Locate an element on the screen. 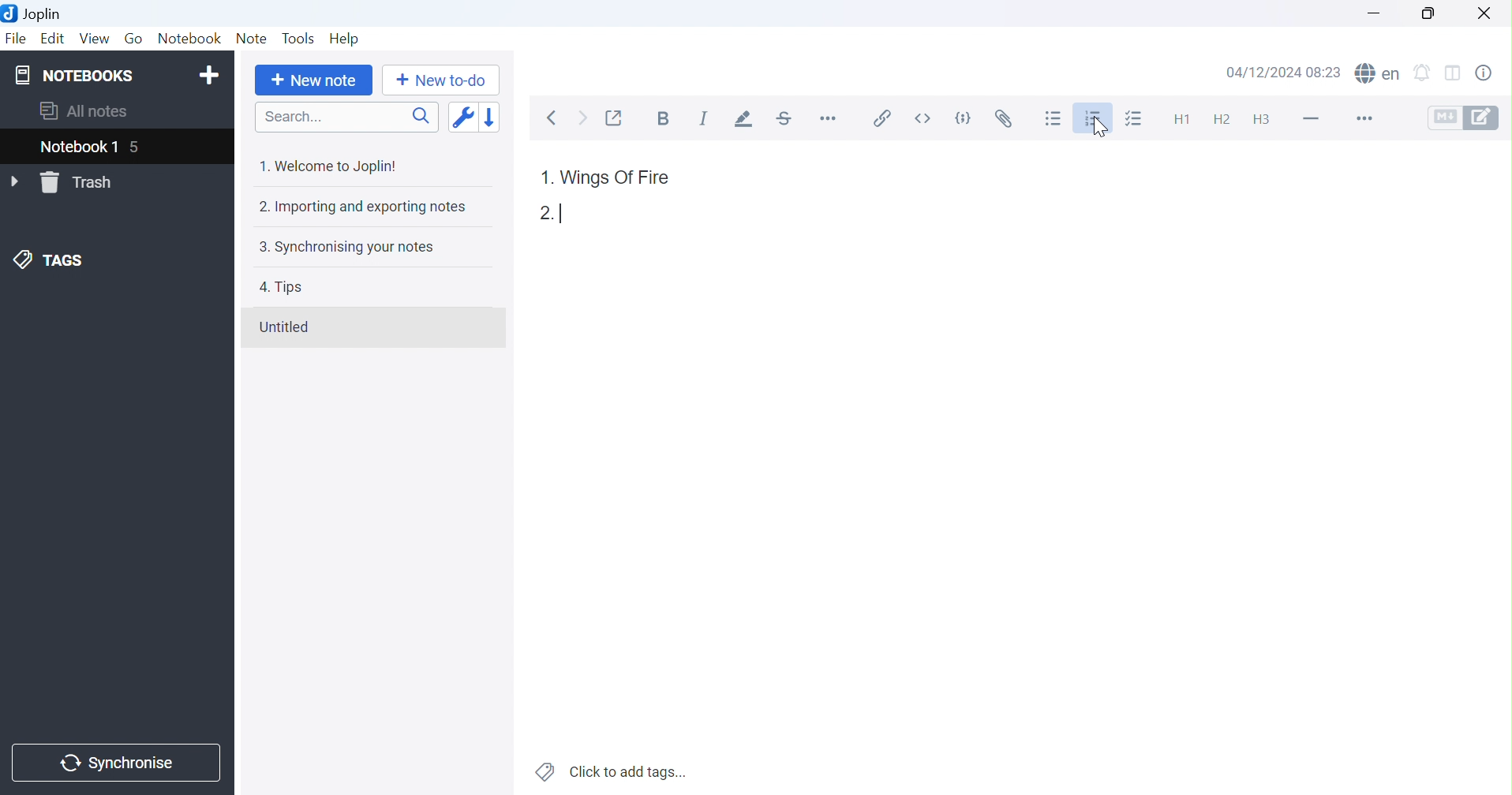 This screenshot has height=795, width=1512. Horizontal Line is located at coordinates (1310, 116).